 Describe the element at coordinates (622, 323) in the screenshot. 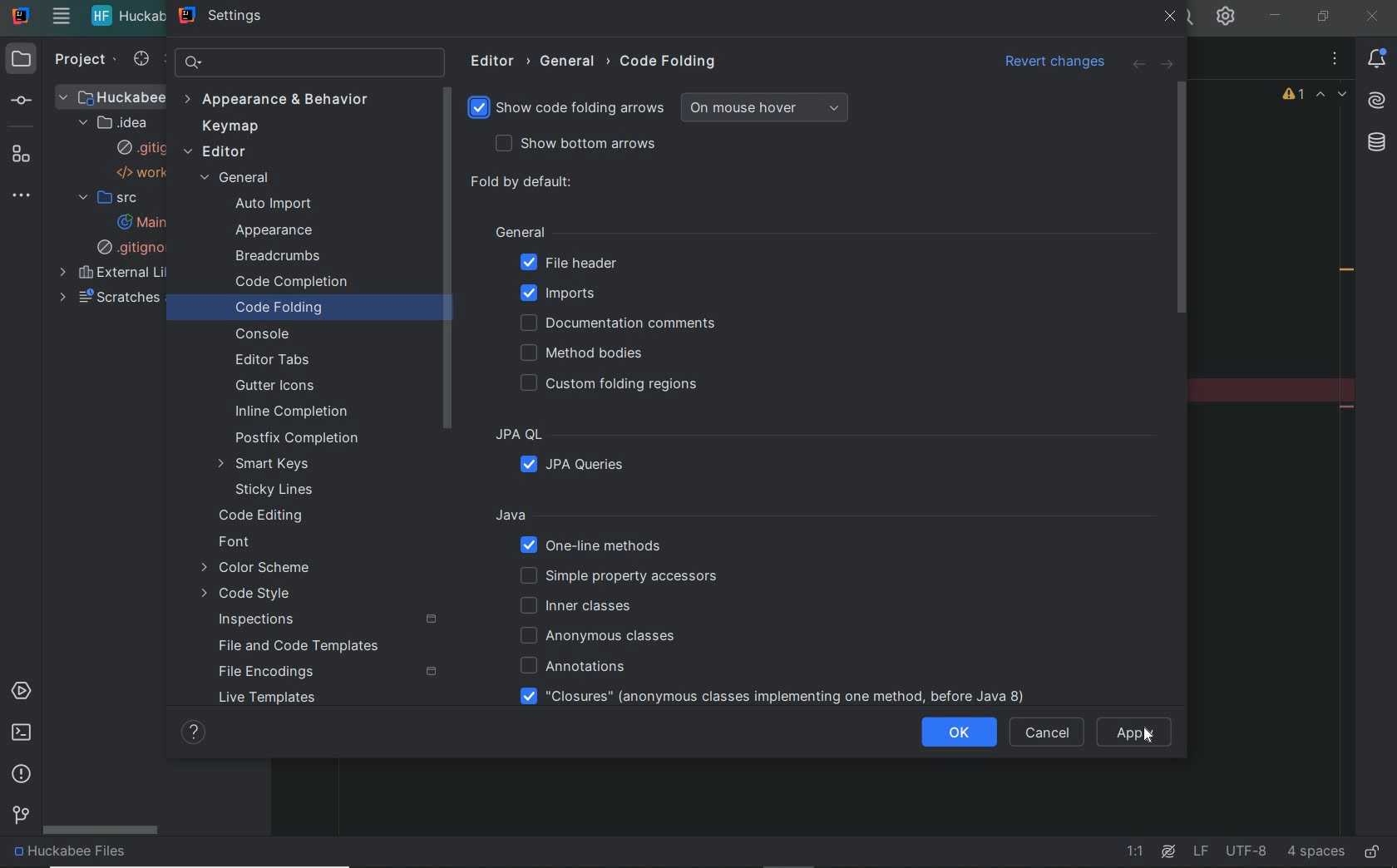

I see `documentation comments` at that location.